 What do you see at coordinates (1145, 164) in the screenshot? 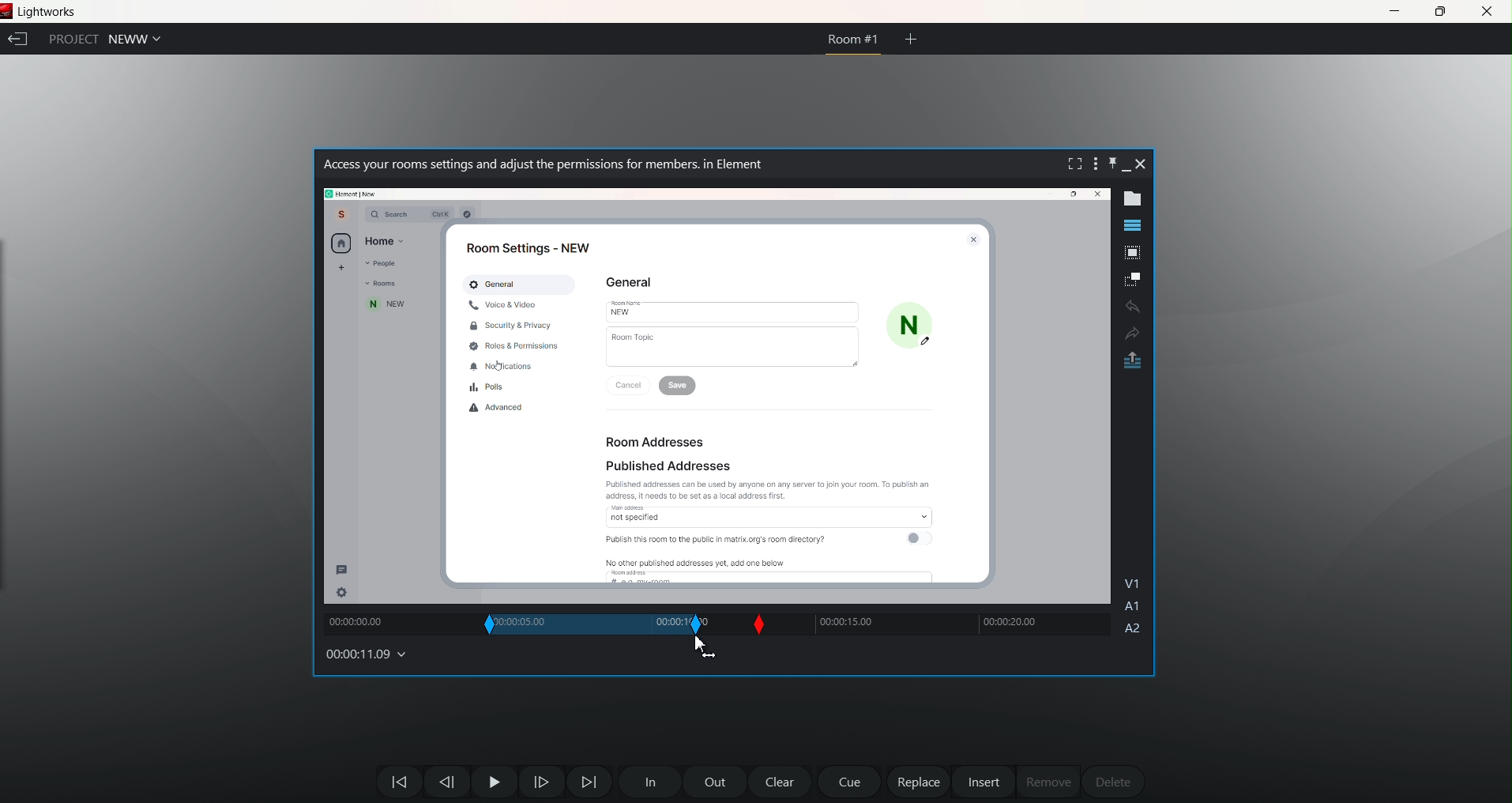
I see `close` at bounding box center [1145, 164].